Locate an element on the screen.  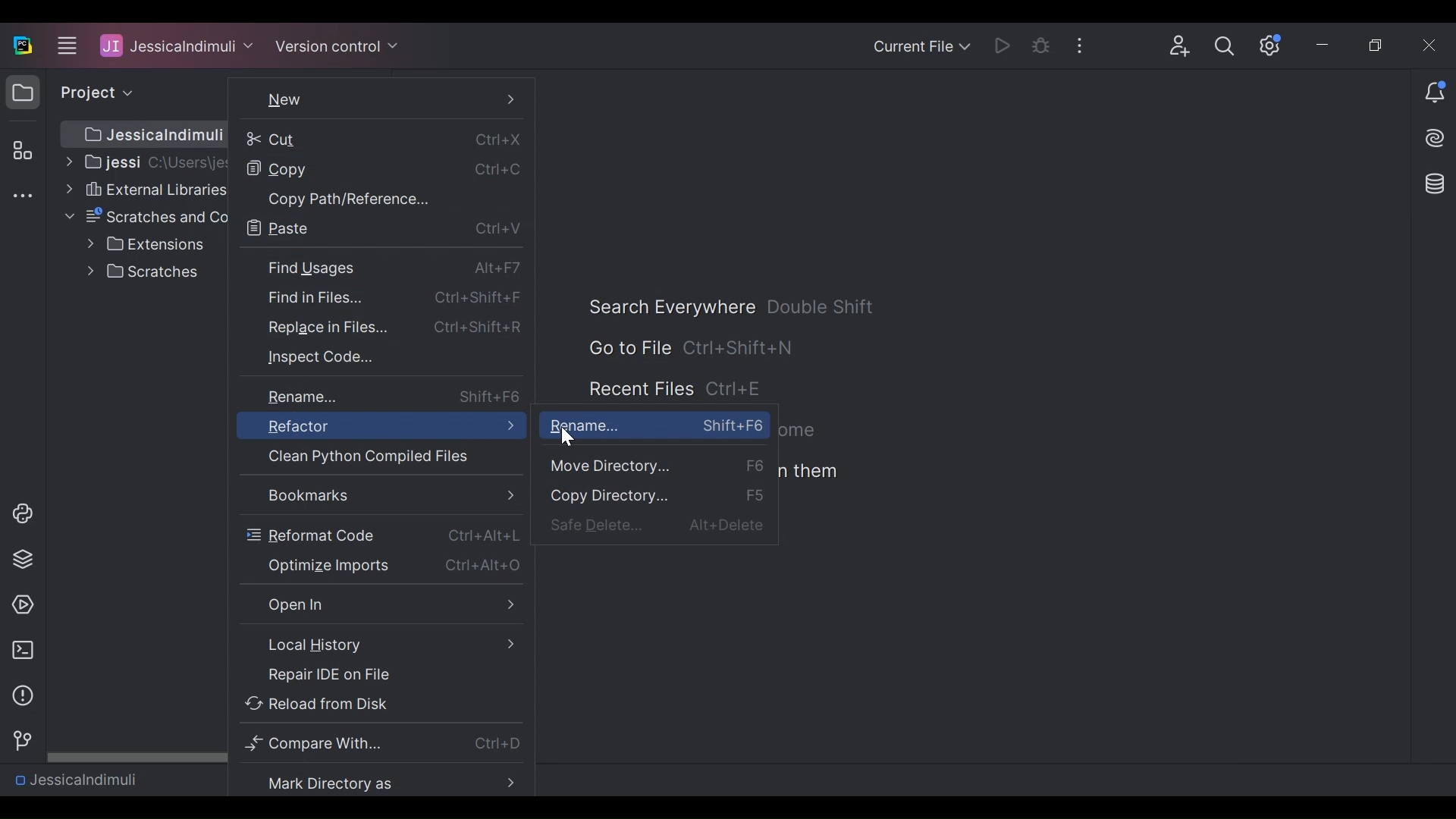
Run is located at coordinates (1005, 45).